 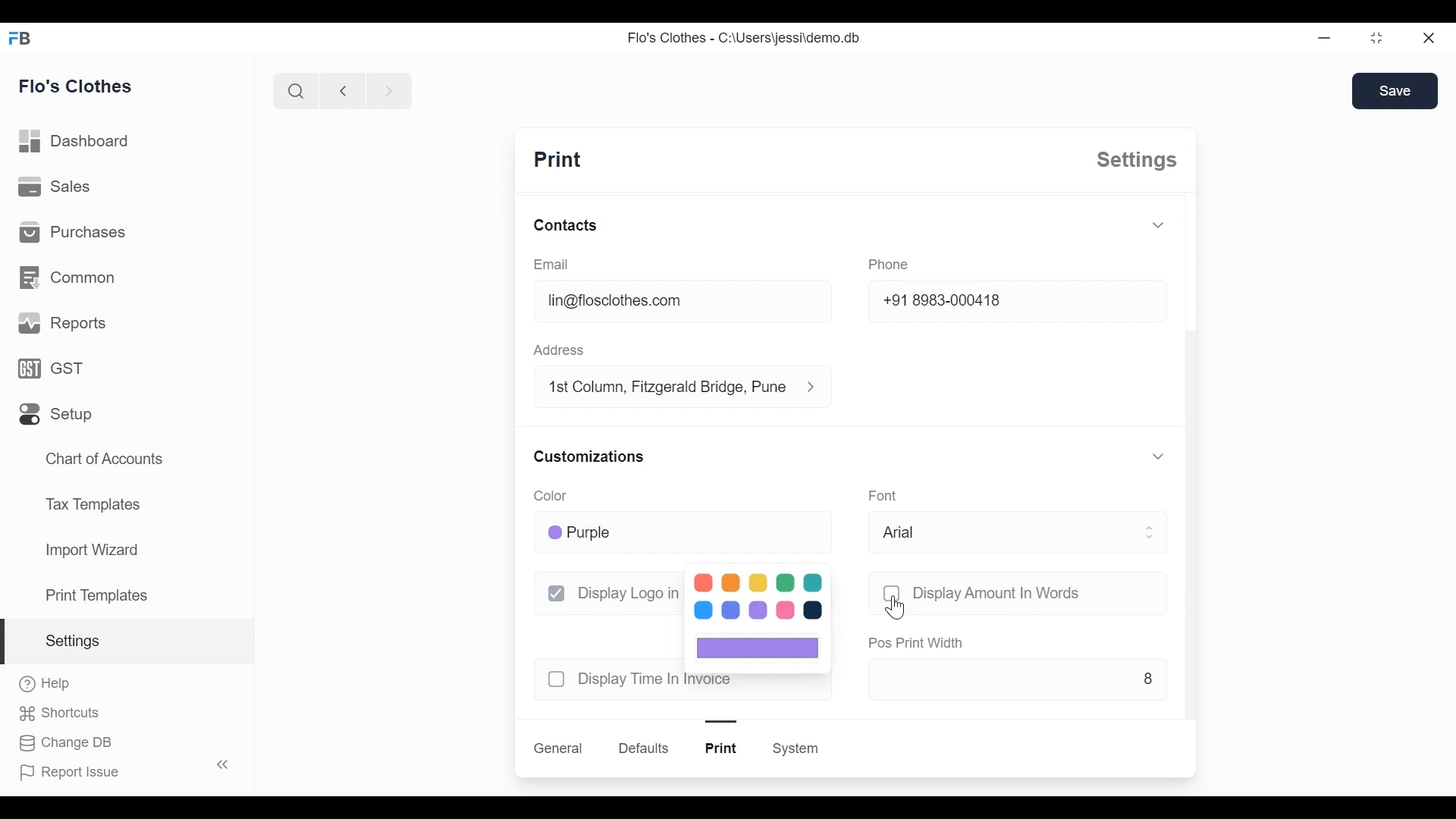 What do you see at coordinates (703, 610) in the screenshot?
I see `color 6` at bounding box center [703, 610].